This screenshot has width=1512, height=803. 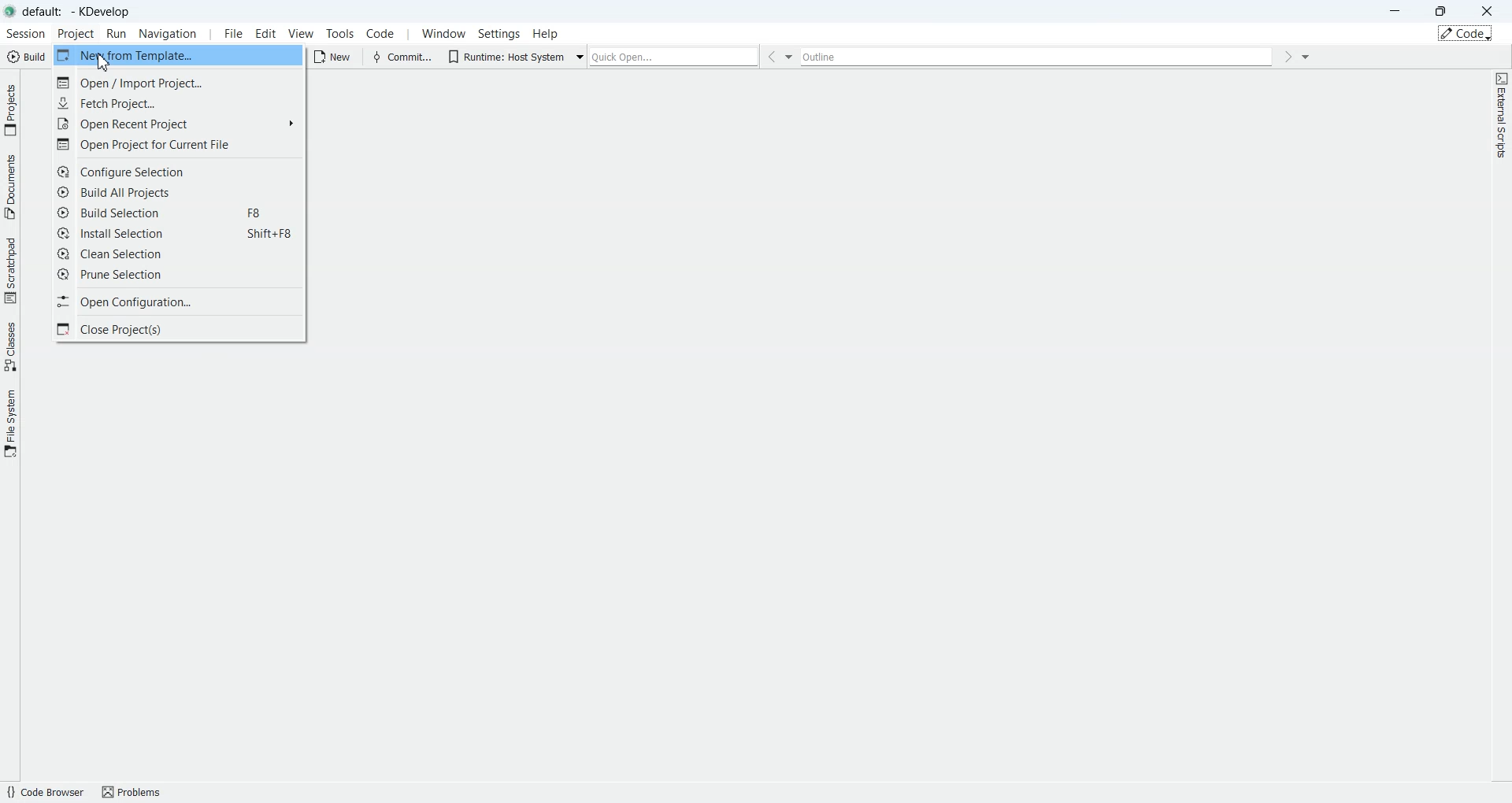 What do you see at coordinates (1039, 57) in the screenshot?
I see `Outline` at bounding box center [1039, 57].